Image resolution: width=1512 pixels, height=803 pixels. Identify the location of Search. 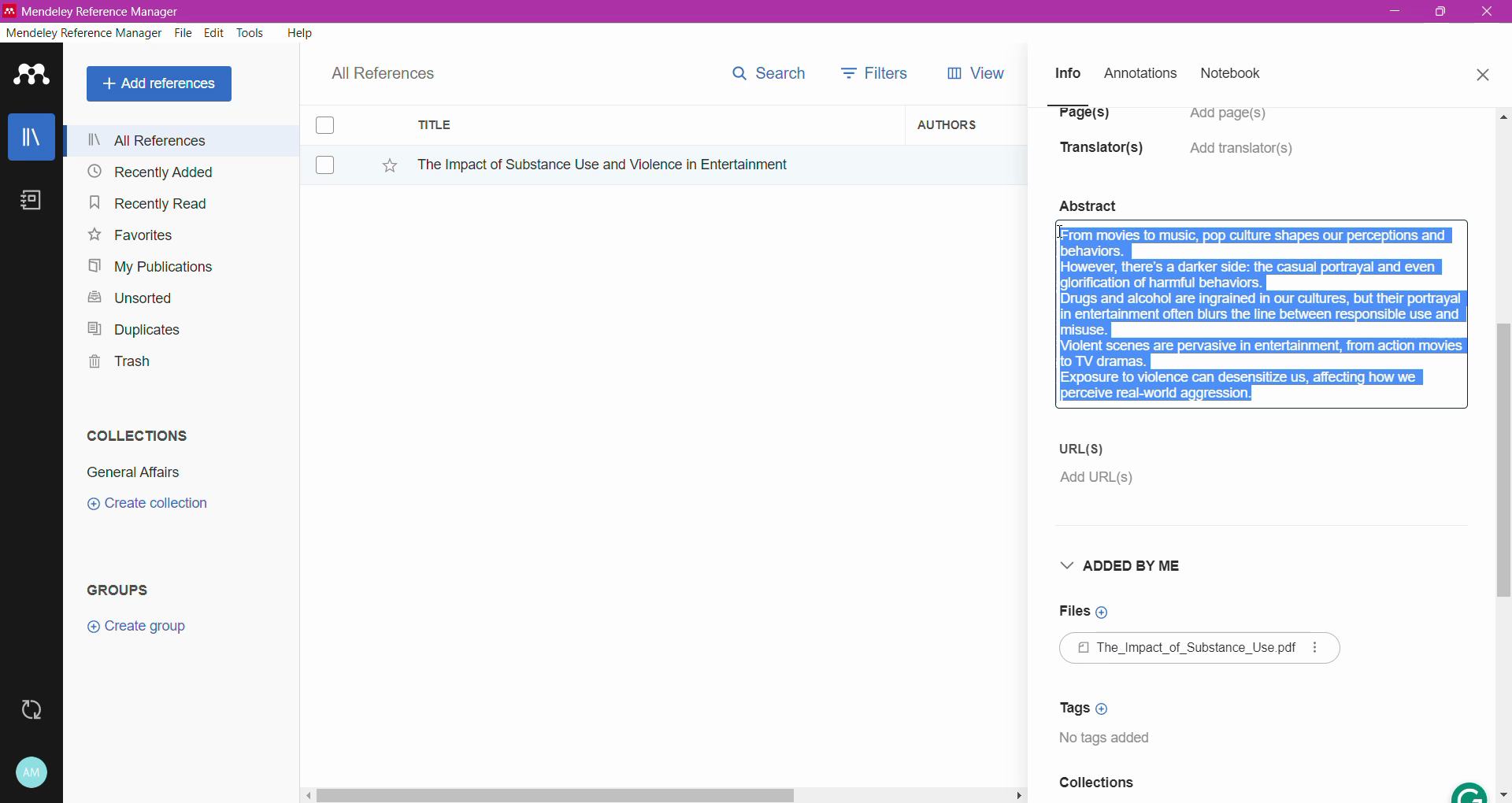
(768, 70).